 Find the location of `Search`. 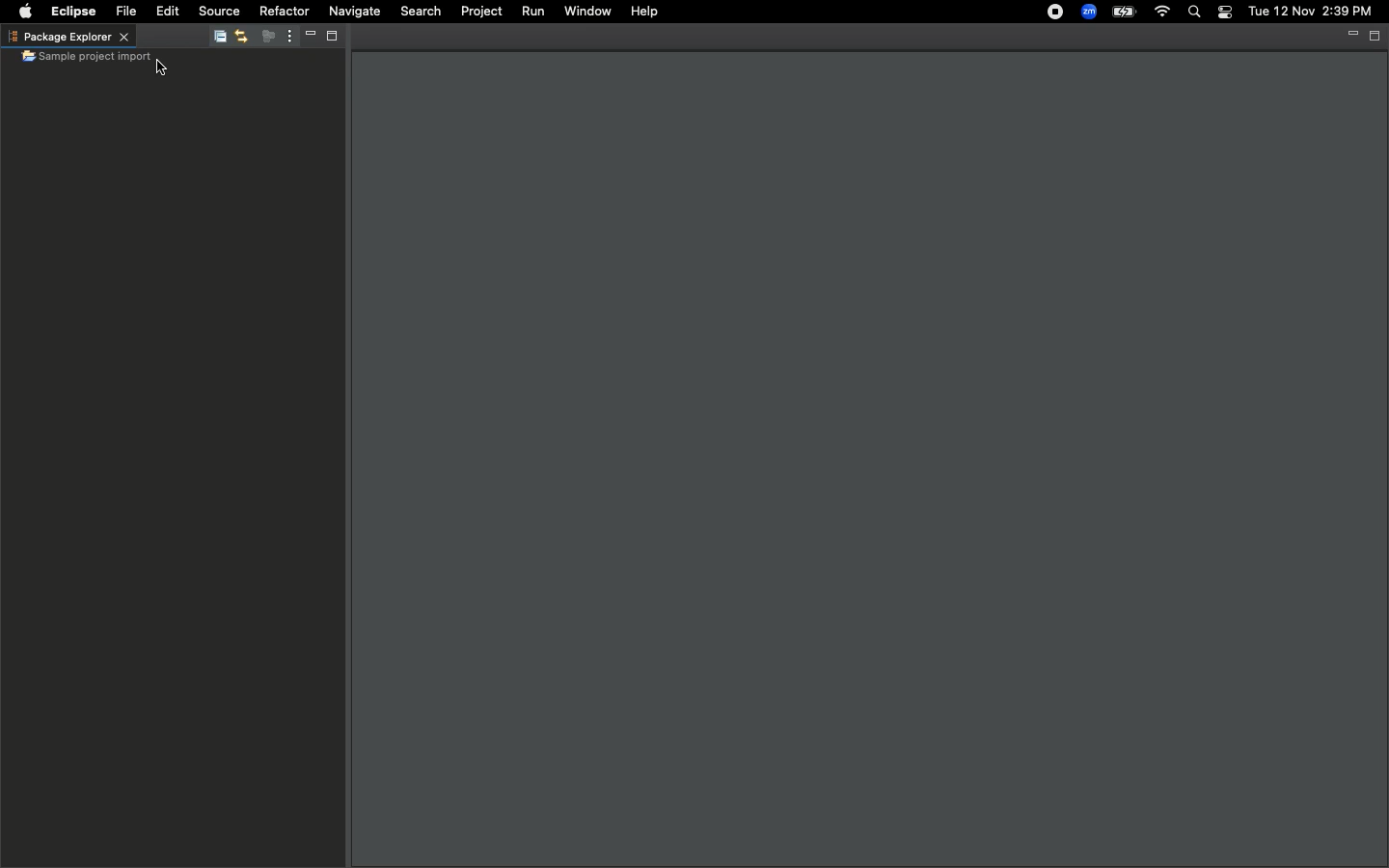

Search is located at coordinates (1192, 13).